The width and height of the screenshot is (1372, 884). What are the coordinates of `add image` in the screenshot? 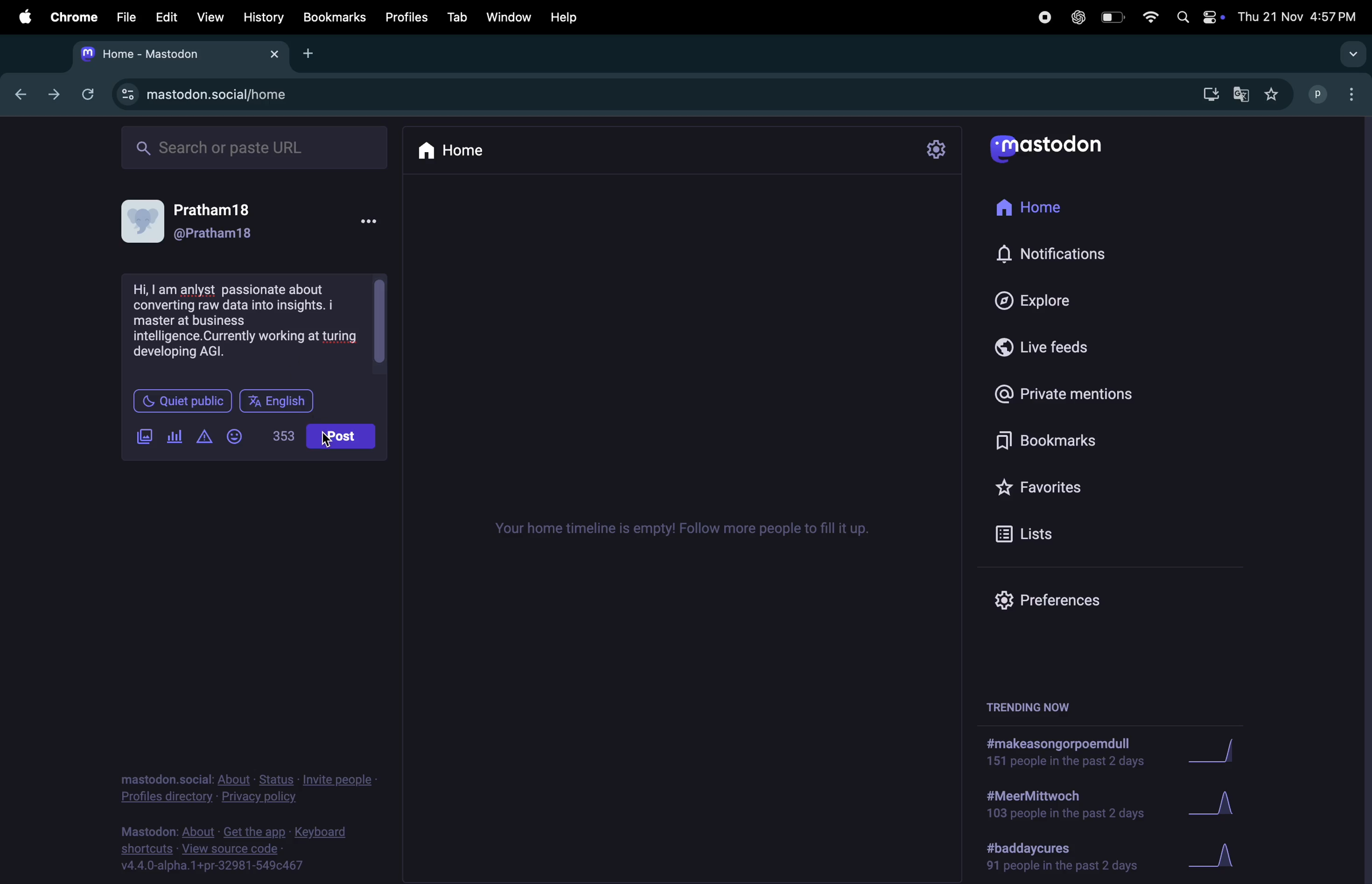 It's located at (145, 437).